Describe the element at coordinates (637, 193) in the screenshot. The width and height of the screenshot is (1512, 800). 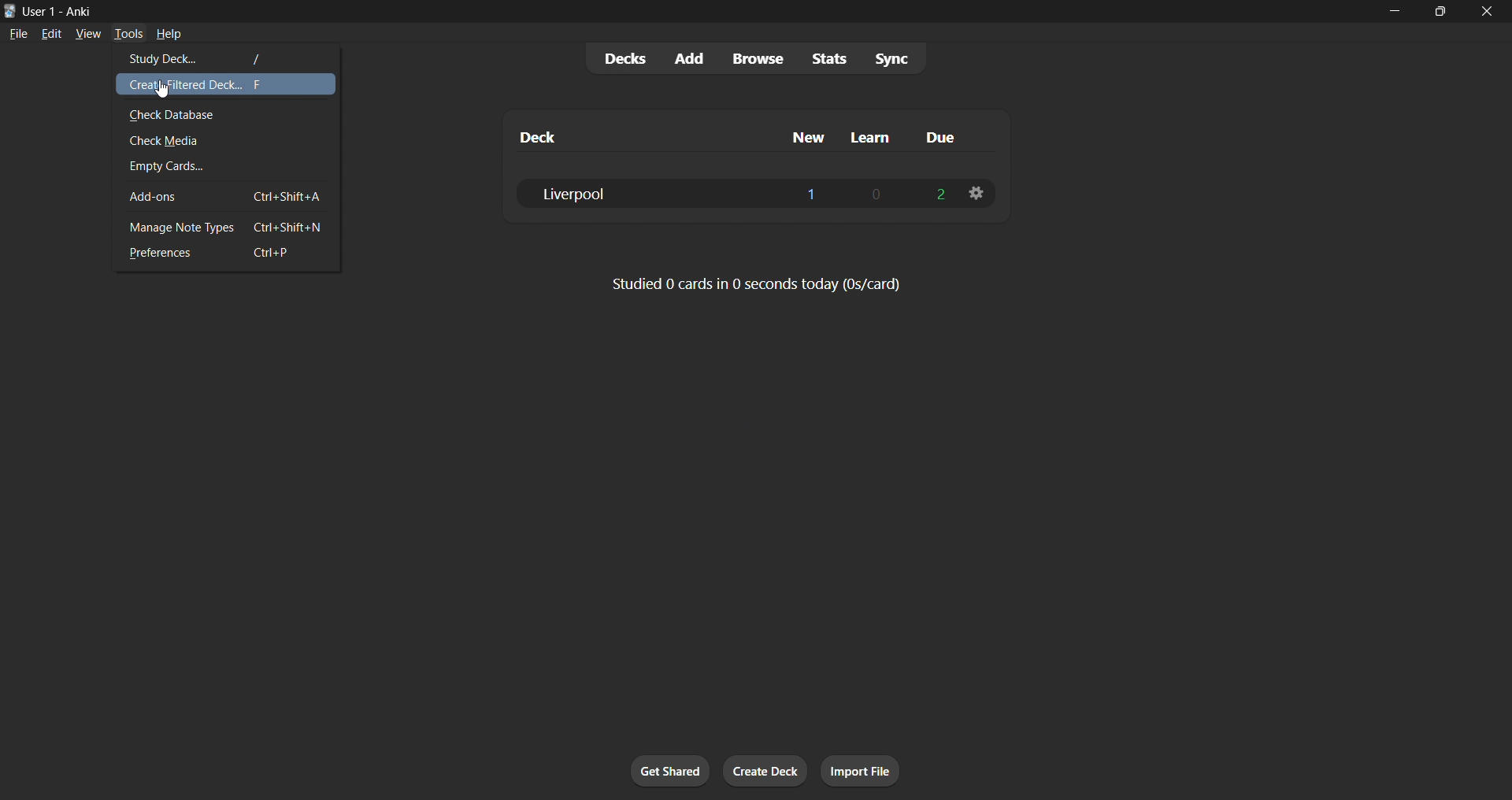
I see `liverpool deck data` at that location.